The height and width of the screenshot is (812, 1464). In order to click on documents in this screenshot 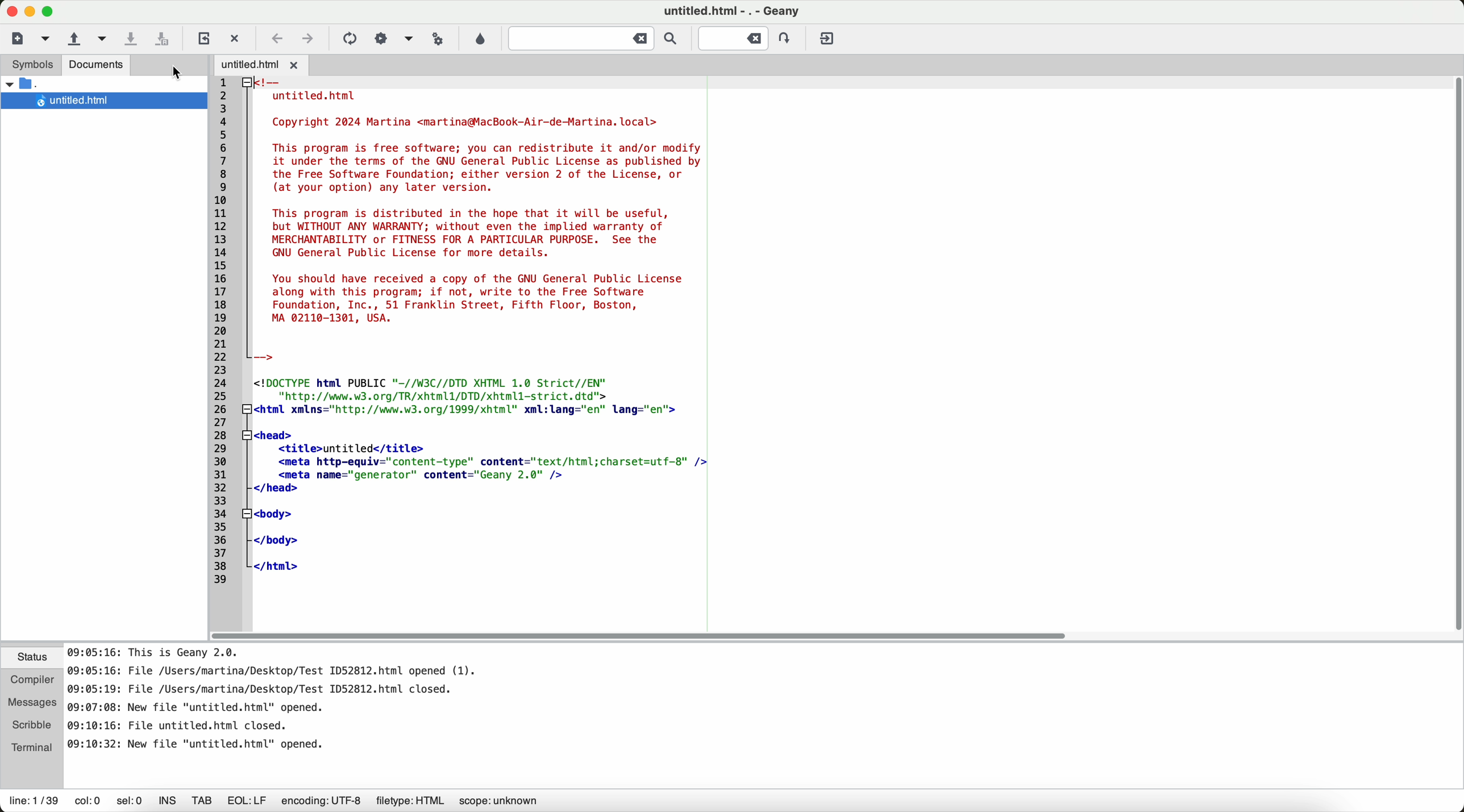, I will do `click(95, 65)`.